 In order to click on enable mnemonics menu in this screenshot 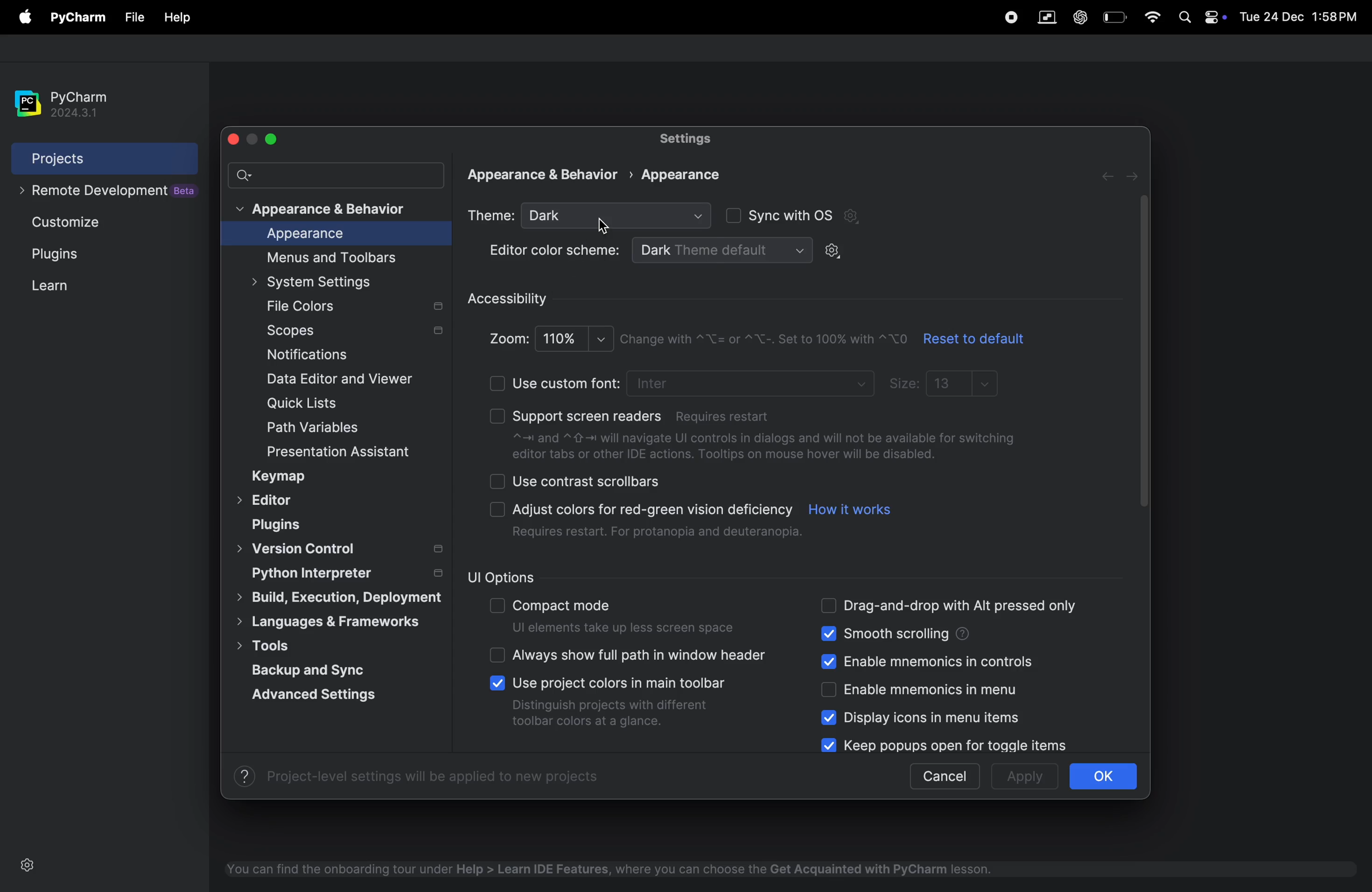, I will do `click(944, 688)`.